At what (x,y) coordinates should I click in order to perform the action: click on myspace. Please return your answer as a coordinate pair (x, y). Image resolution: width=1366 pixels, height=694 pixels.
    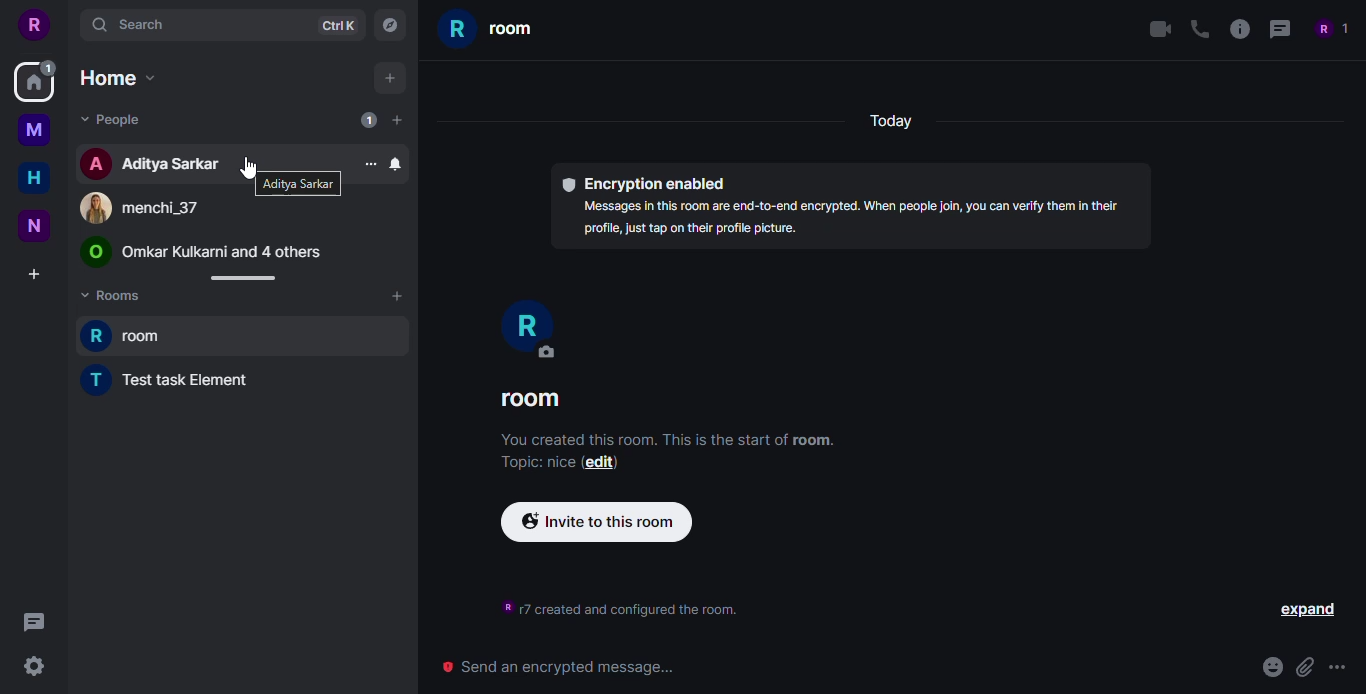
    Looking at the image, I should click on (34, 129).